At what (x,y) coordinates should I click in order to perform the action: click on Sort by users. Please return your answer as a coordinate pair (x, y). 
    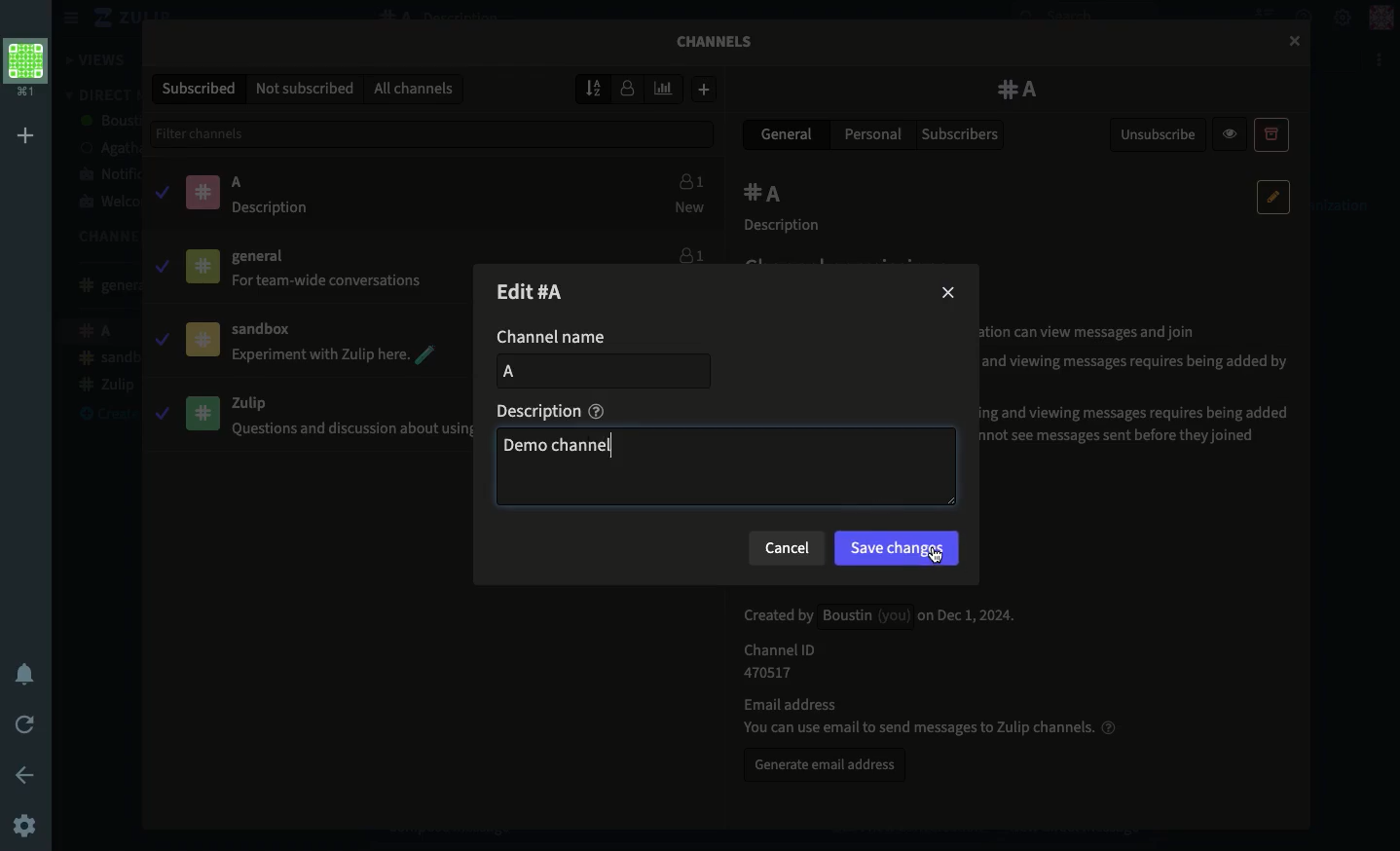
    Looking at the image, I should click on (628, 87).